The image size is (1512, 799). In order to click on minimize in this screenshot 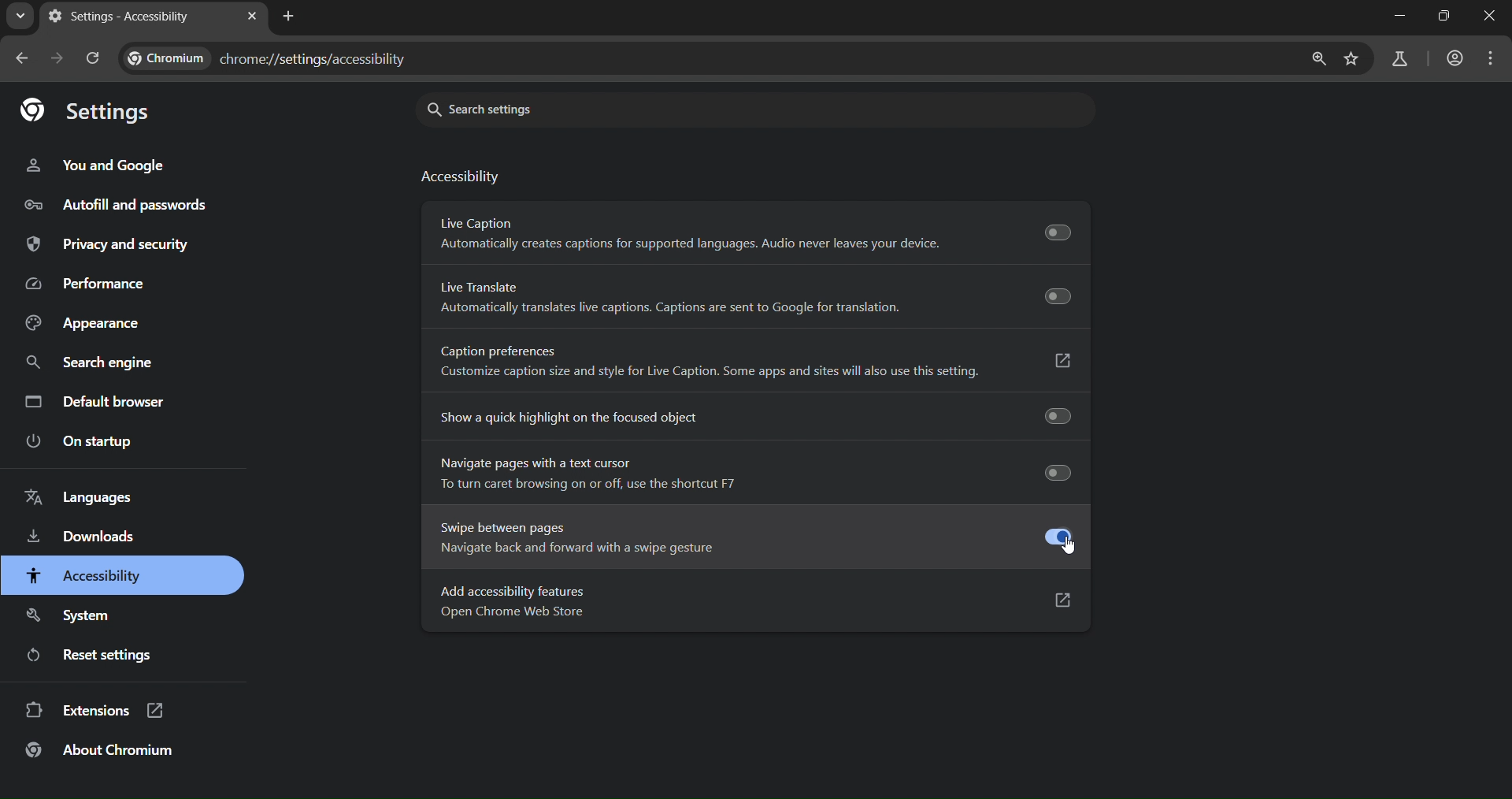, I will do `click(1396, 20)`.